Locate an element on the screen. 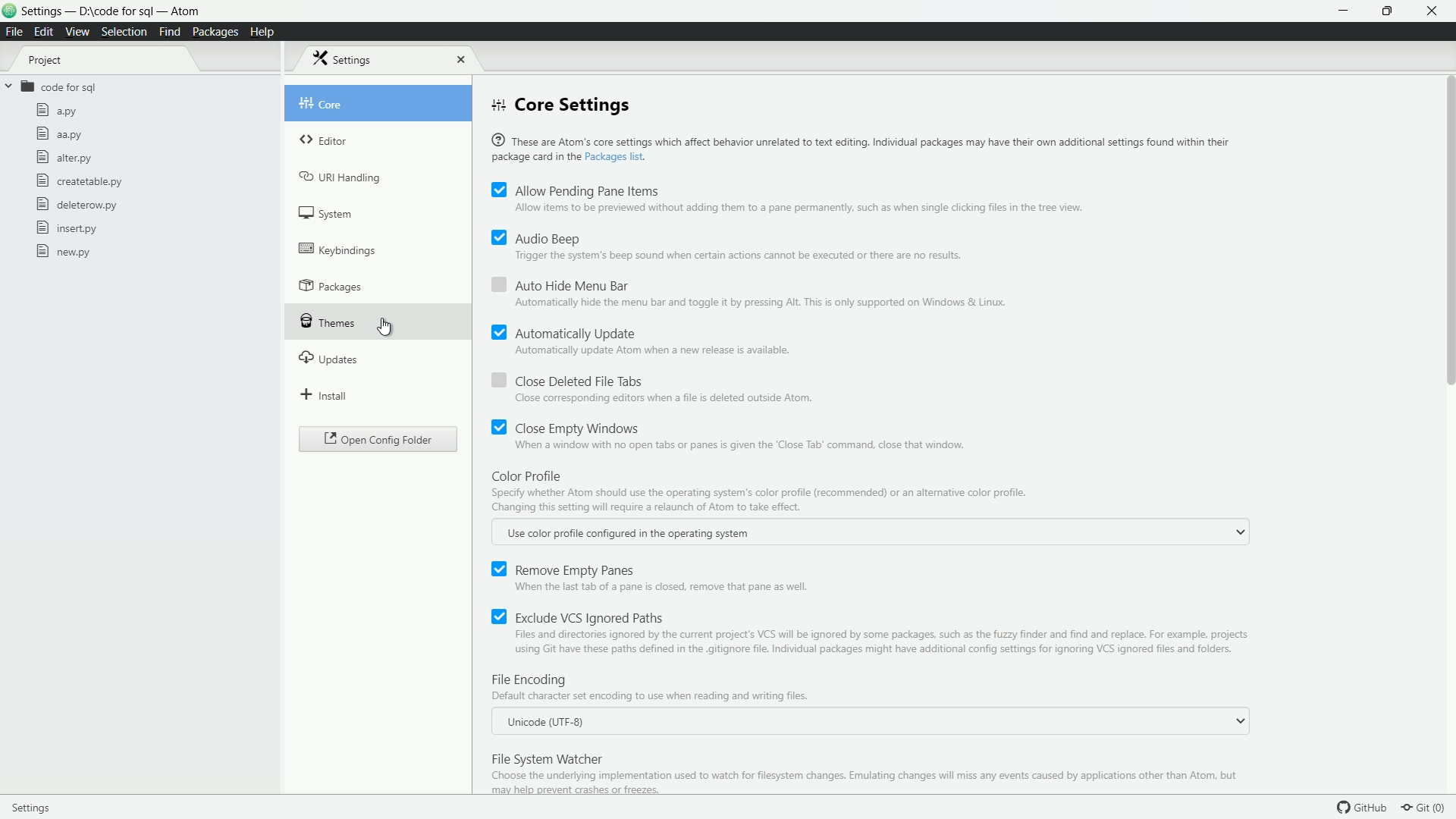  cursor is located at coordinates (384, 325).